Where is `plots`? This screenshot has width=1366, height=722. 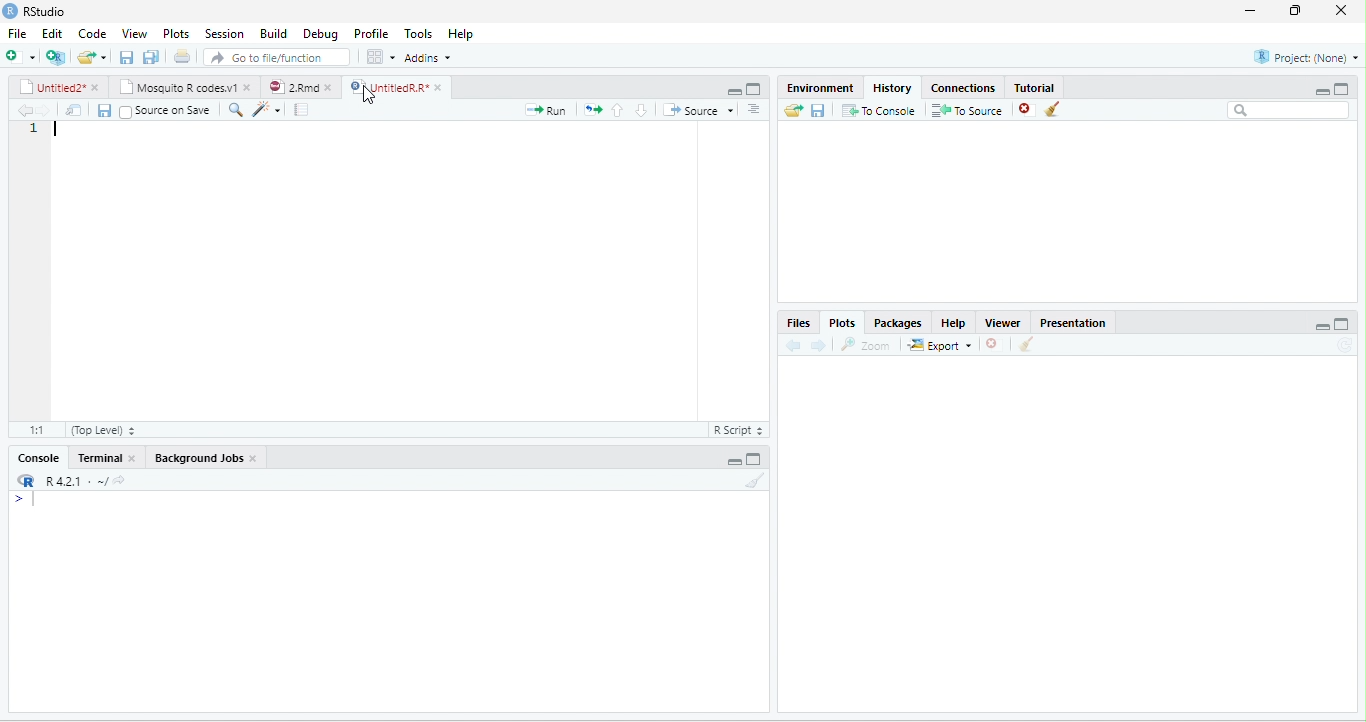 plots is located at coordinates (844, 323).